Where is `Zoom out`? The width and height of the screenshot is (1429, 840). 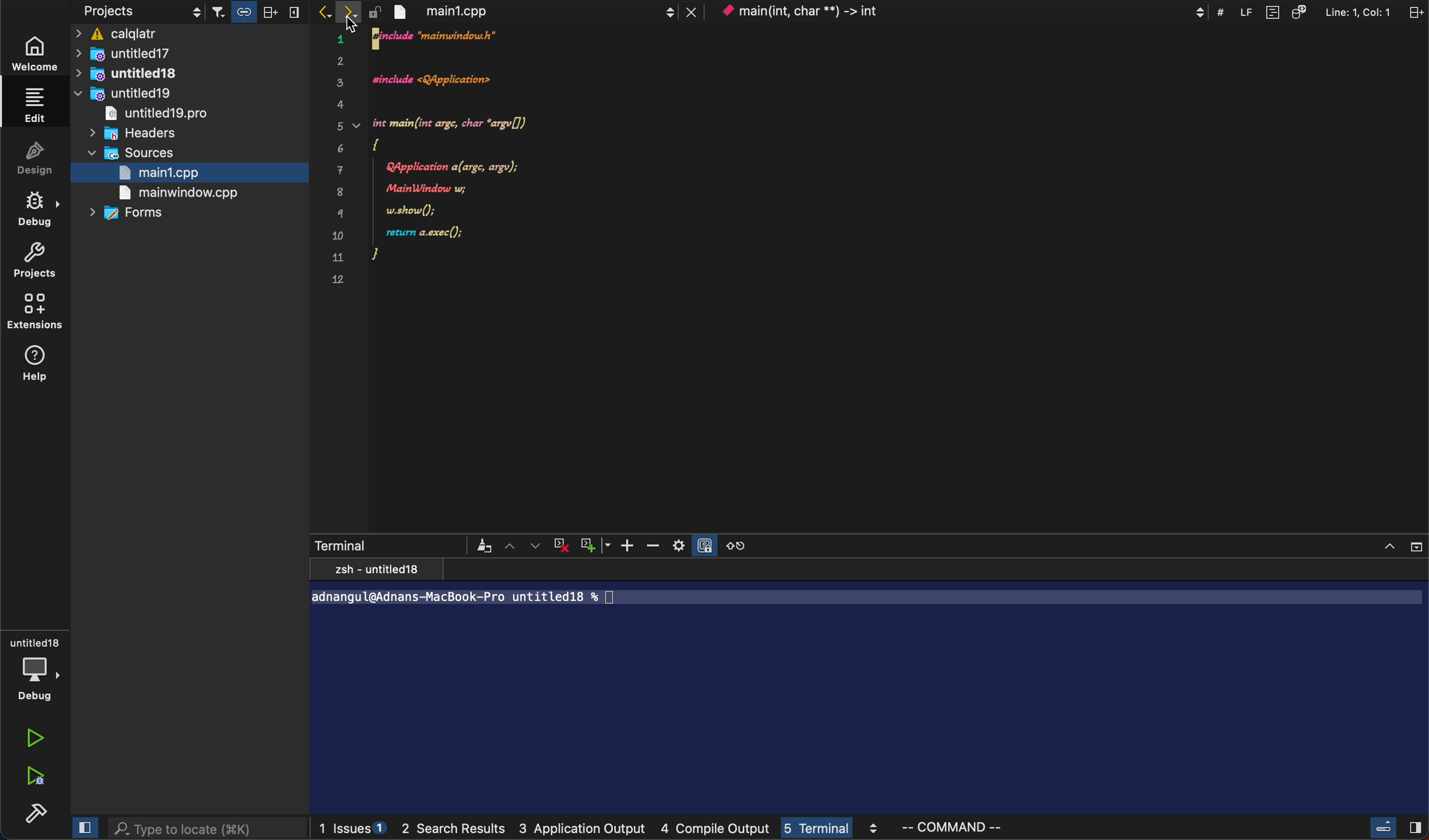
Zoom out is located at coordinates (655, 547).